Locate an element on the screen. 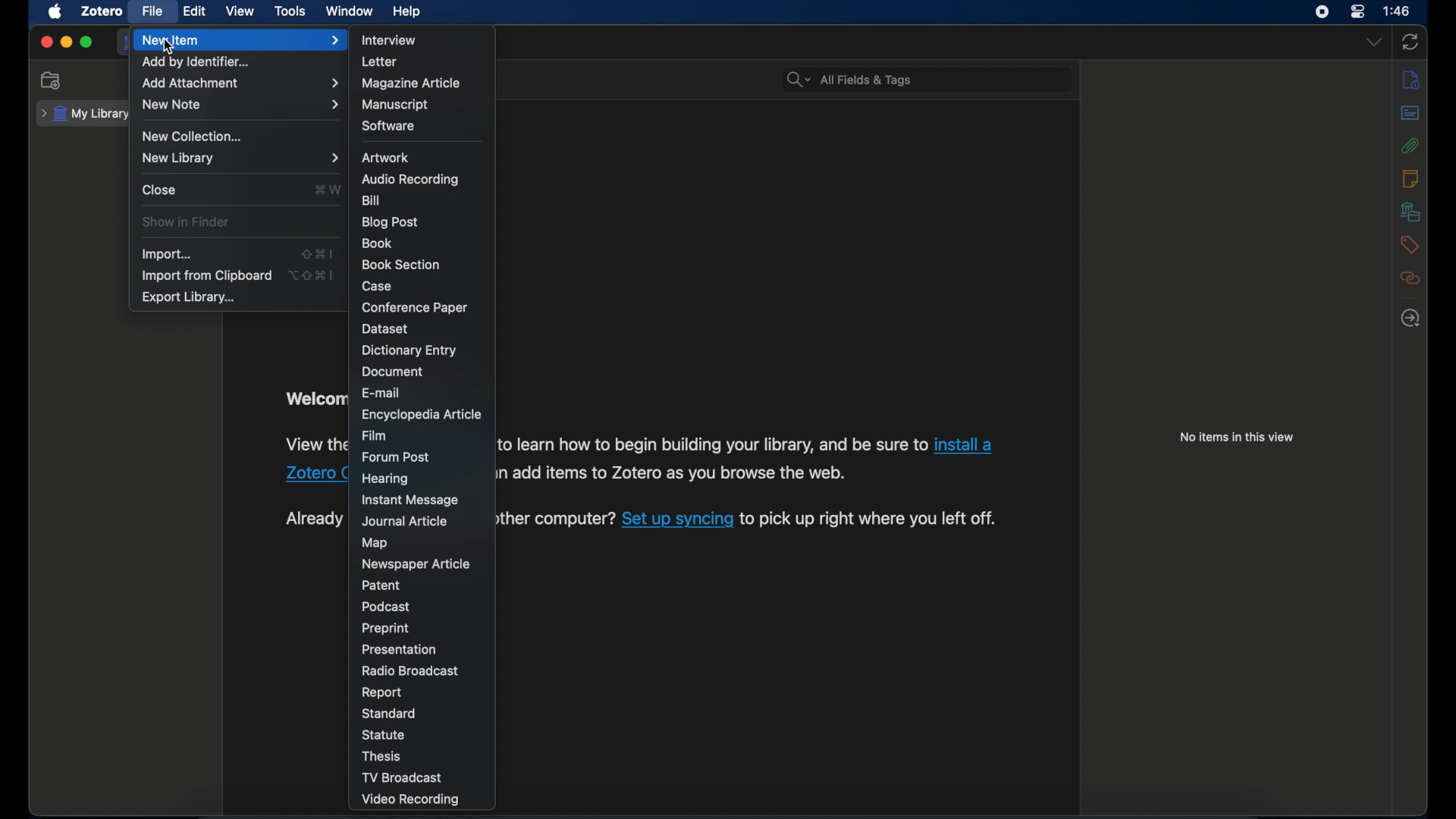 The image size is (1456, 819). Zotero is located at coordinates (297, 475).